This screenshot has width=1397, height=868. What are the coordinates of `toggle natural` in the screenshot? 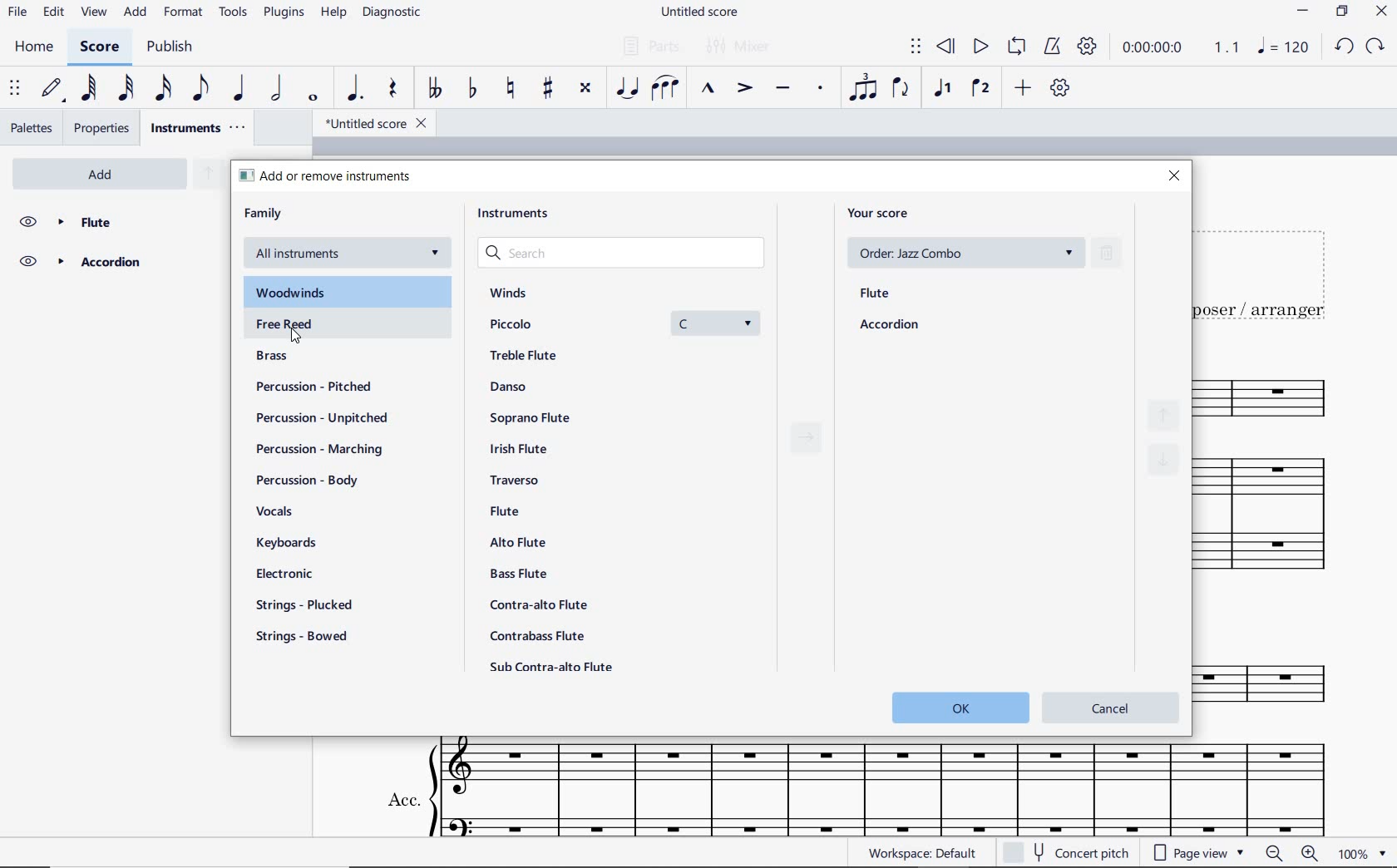 It's located at (509, 89).